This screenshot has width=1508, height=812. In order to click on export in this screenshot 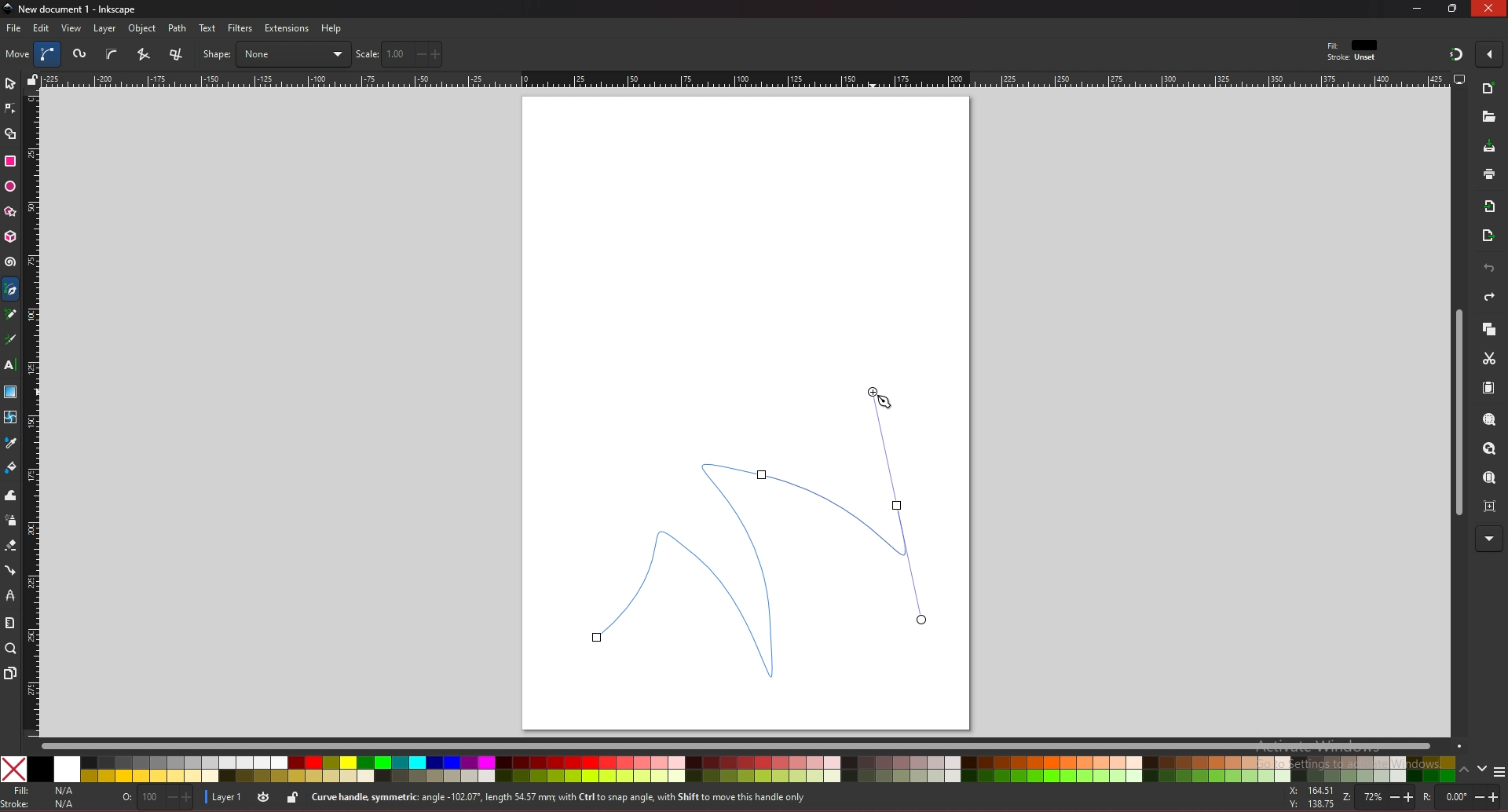, I will do `click(1488, 236)`.